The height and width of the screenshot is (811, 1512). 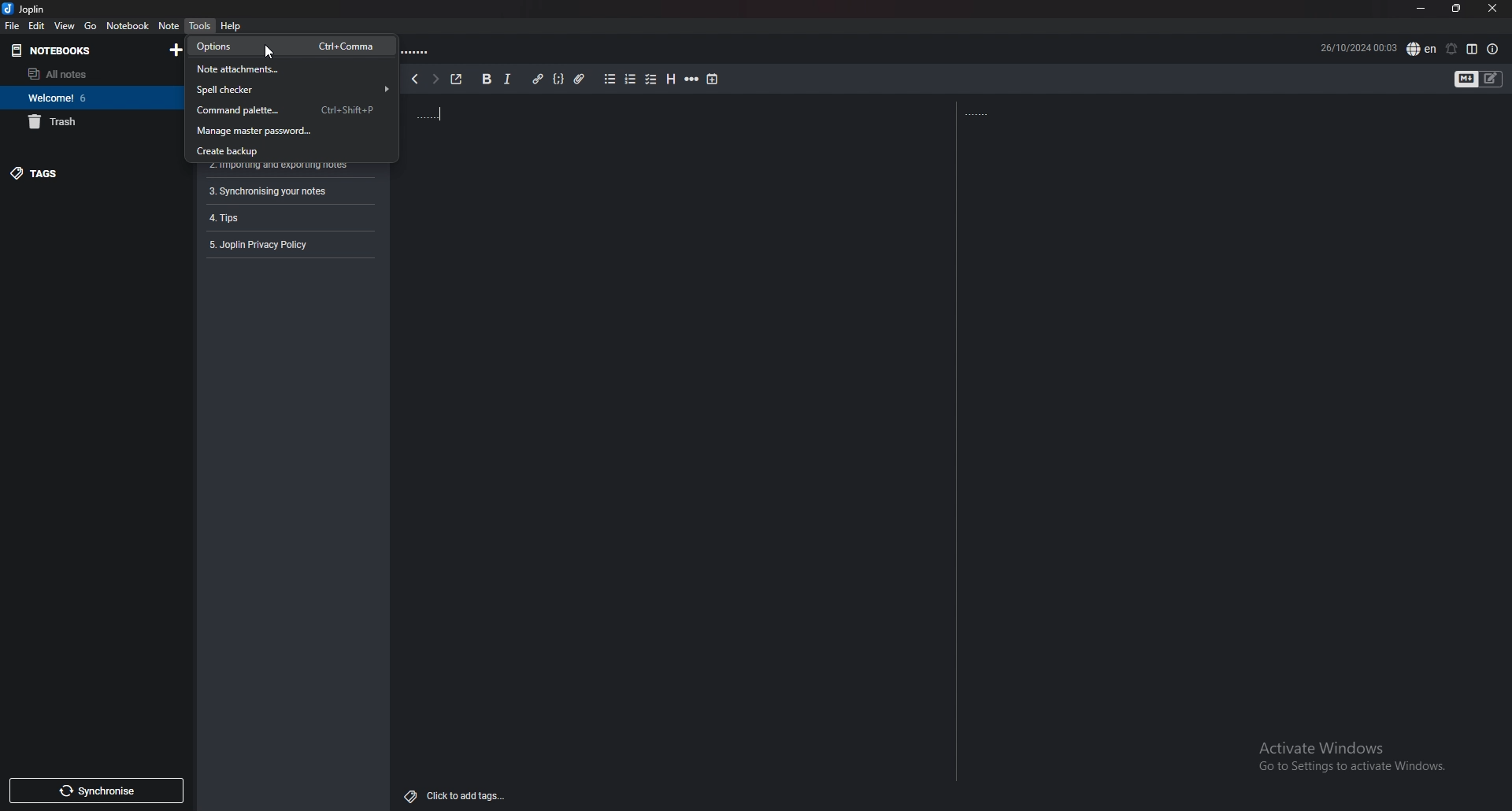 What do you see at coordinates (476, 113) in the screenshot?
I see `.......` at bounding box center [476, 113].